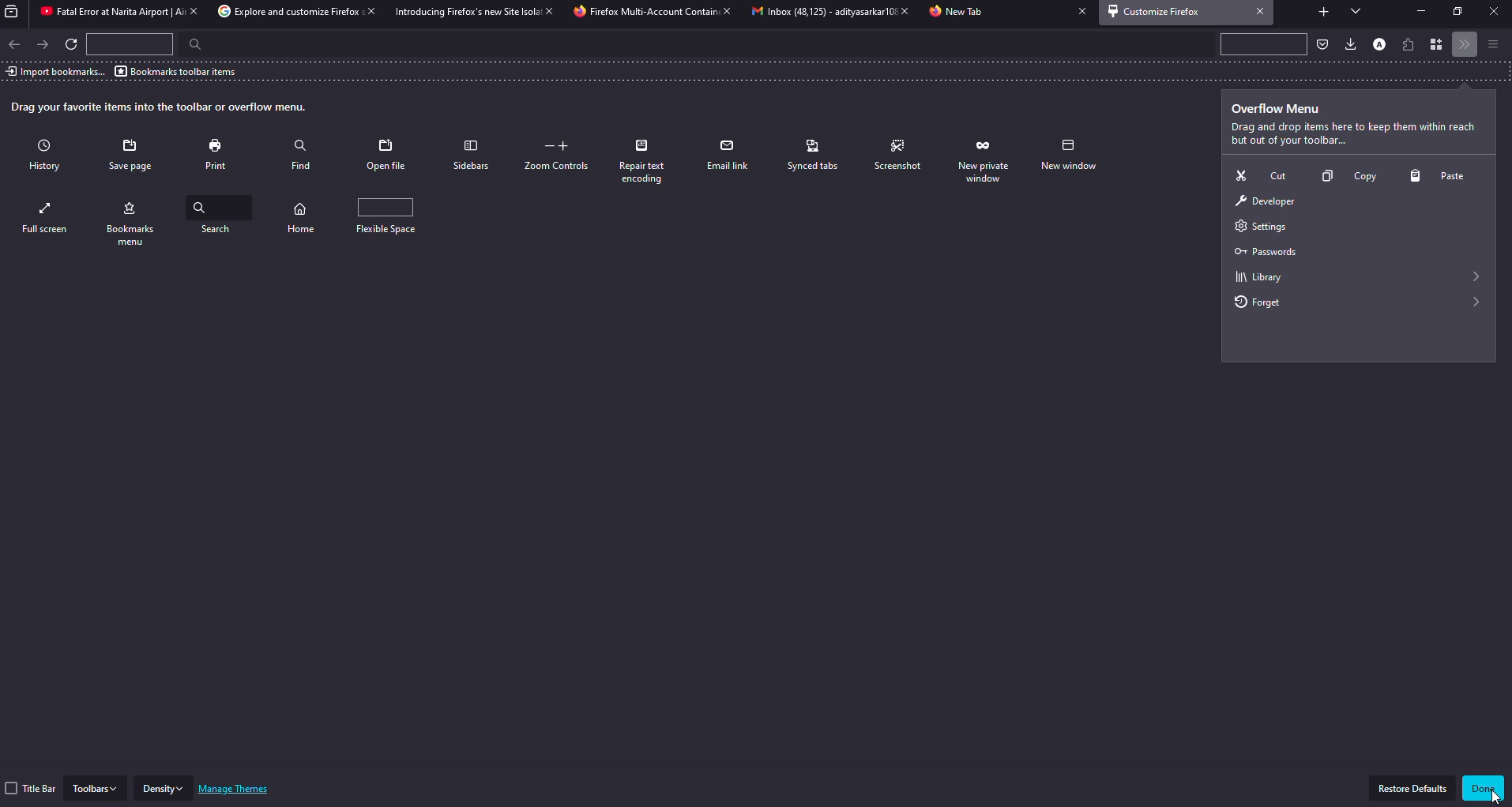 Image resolution: width=1512 pixels, height=807 pixels. Describe the element at coordinates (1257, 227) in the screenshot. I see `settings` at that location.